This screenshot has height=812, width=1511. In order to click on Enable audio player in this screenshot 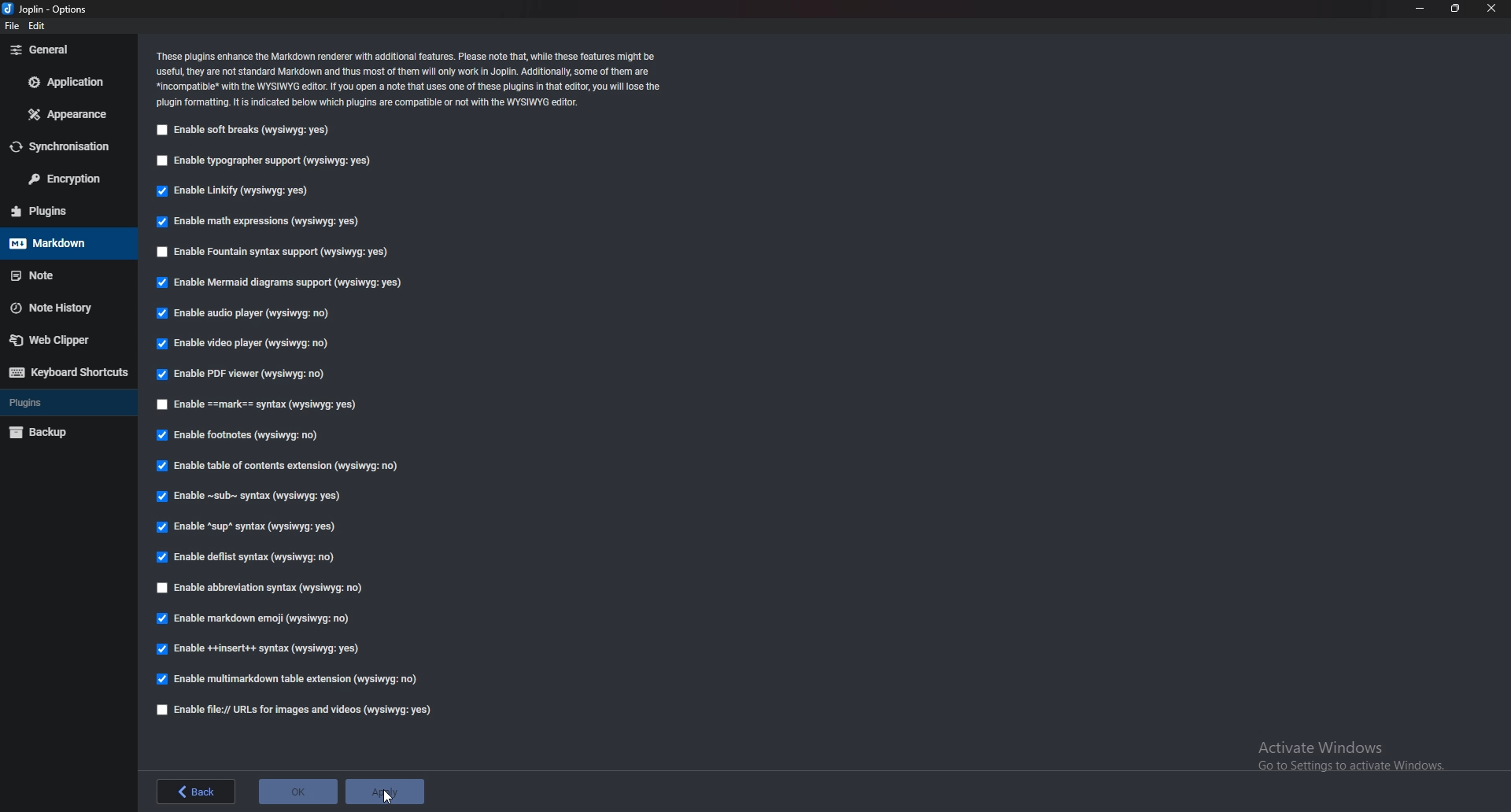, I will do `click(246, 315)`.